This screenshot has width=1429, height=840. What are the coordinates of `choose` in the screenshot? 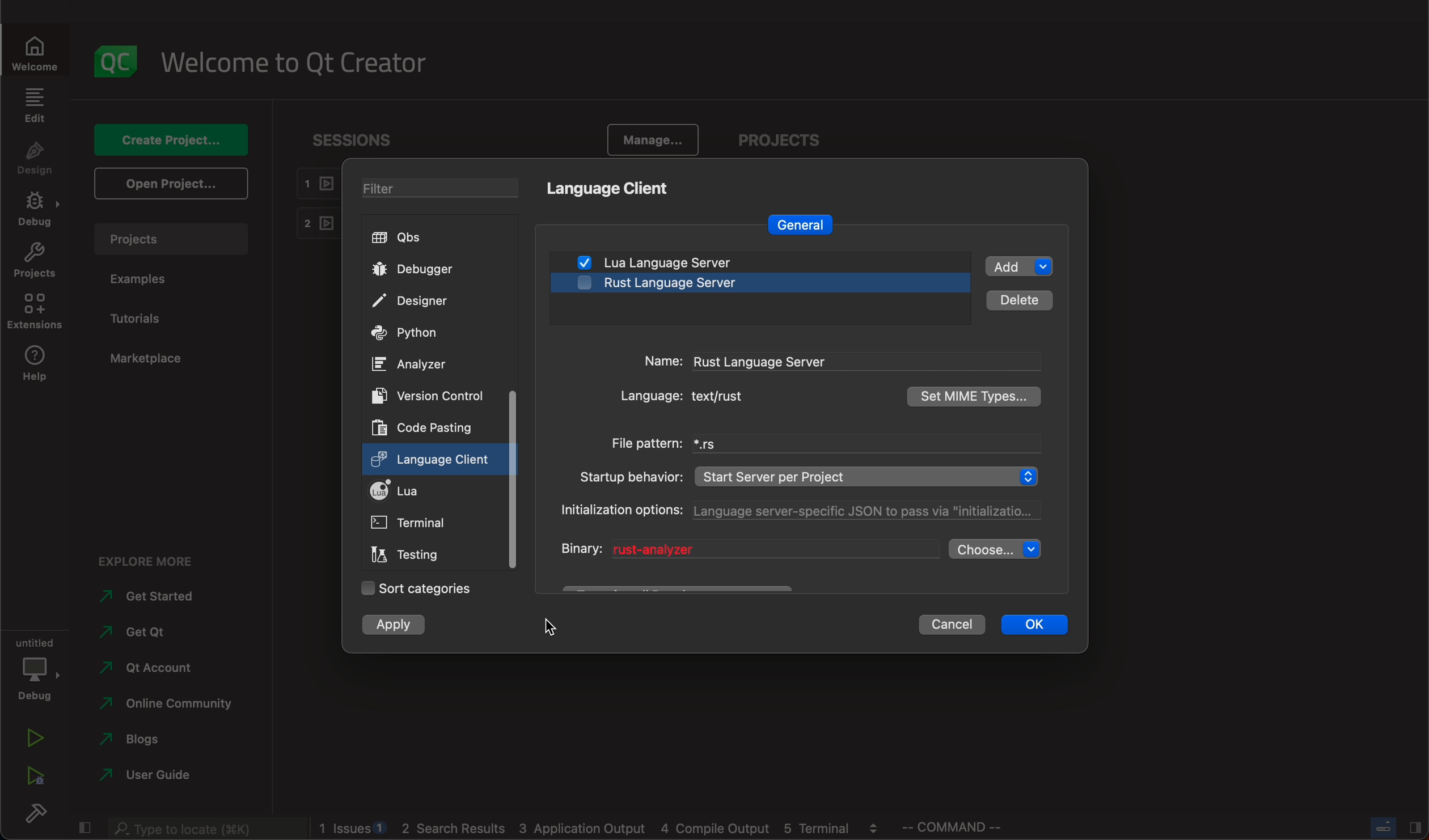 It's located at (1001, 550).